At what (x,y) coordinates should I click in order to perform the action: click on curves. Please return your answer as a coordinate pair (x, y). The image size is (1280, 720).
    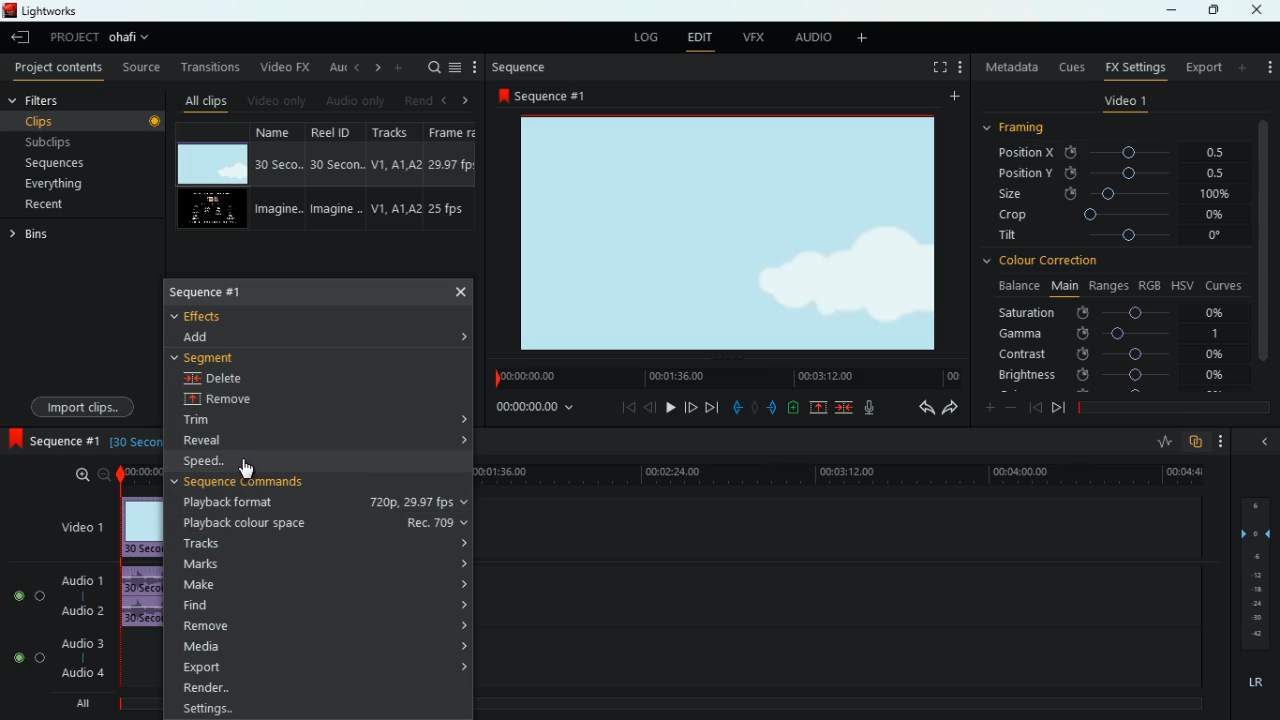
    Looking at the image, I should click on (1224, 284).